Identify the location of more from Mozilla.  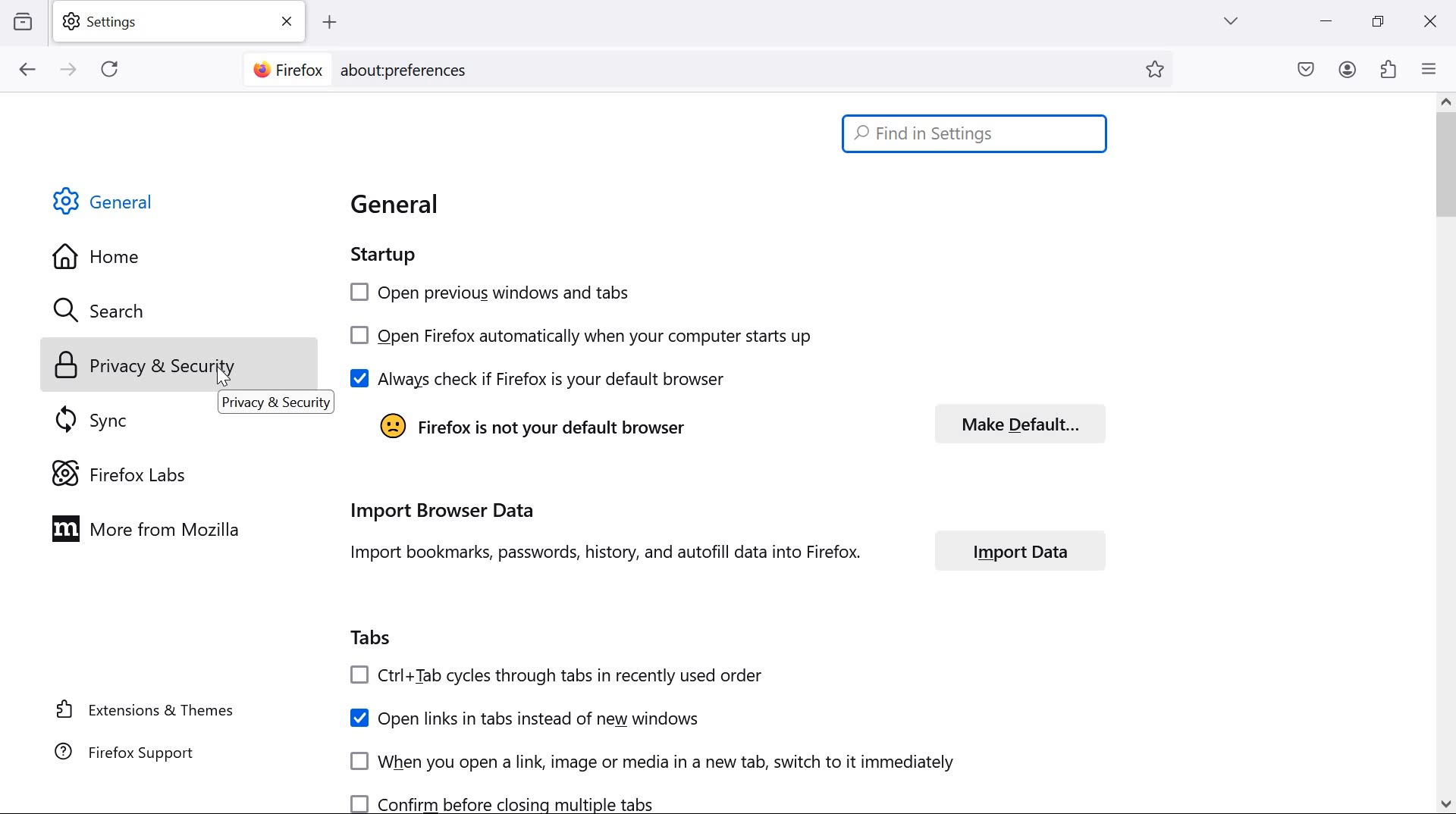
(154, 528).